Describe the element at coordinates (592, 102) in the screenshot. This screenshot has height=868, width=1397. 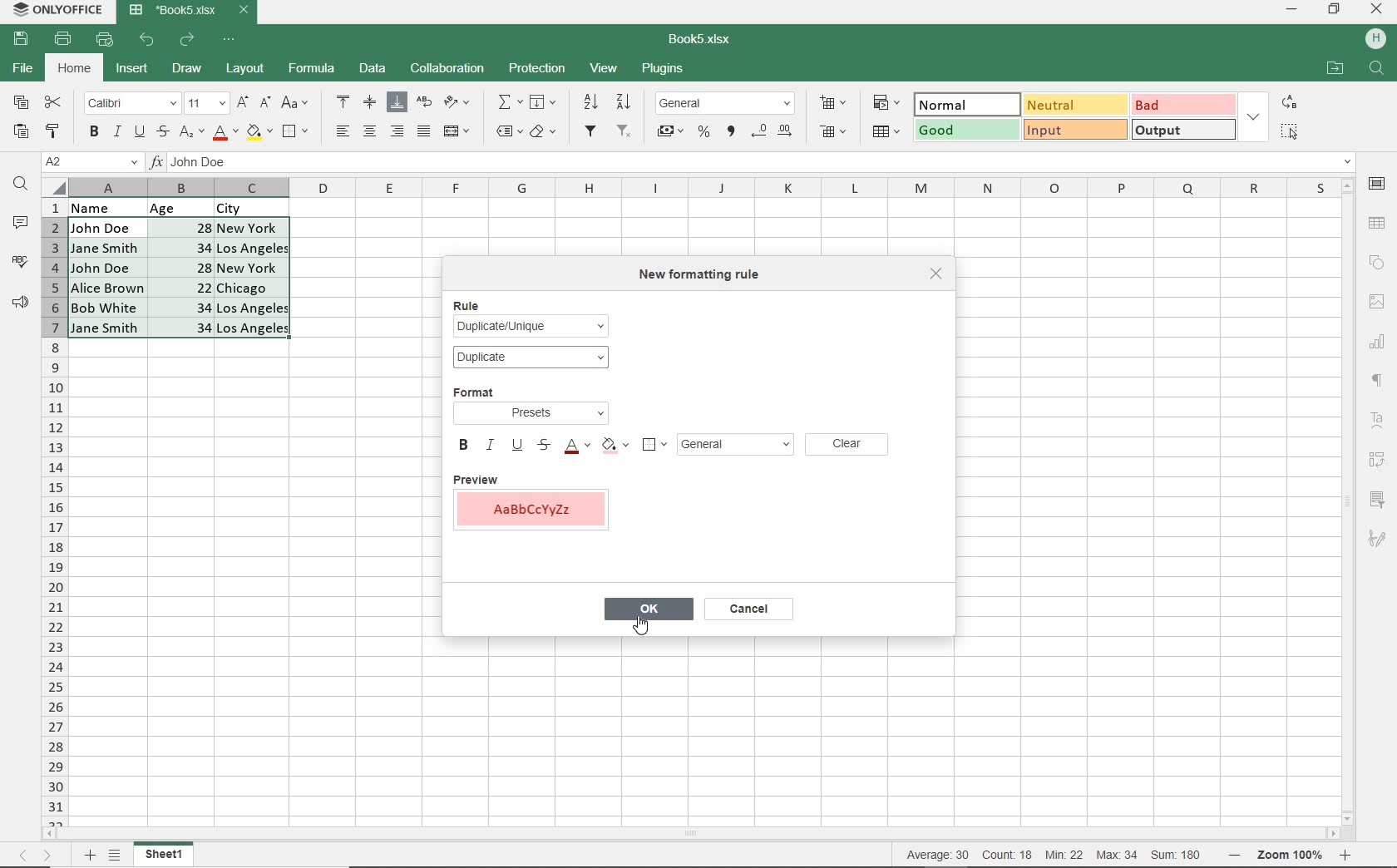
I see `SORTASCENDING` at that location.